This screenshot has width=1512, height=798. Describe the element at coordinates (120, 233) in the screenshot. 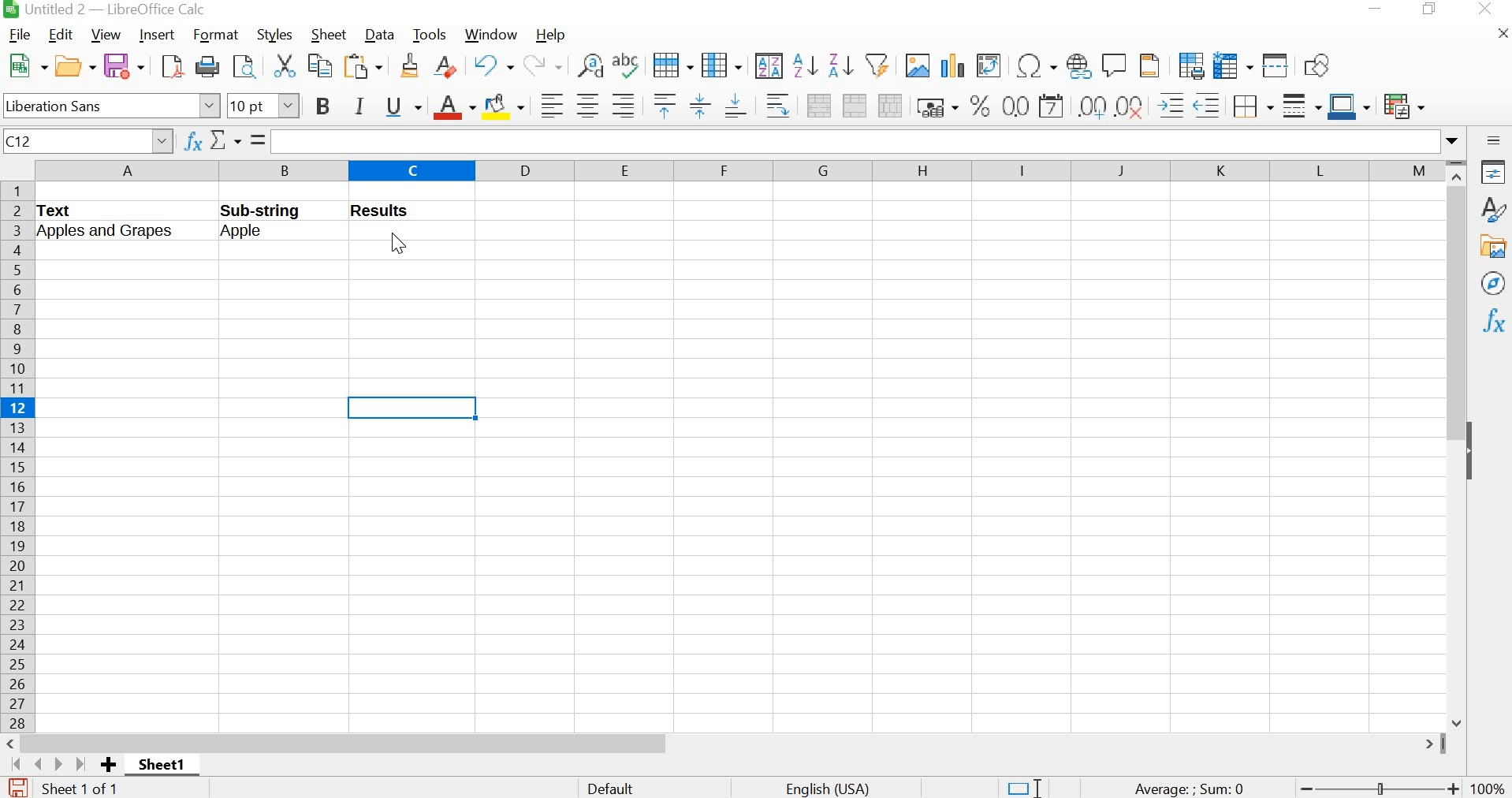

I see `Apples and grapes` at that location.